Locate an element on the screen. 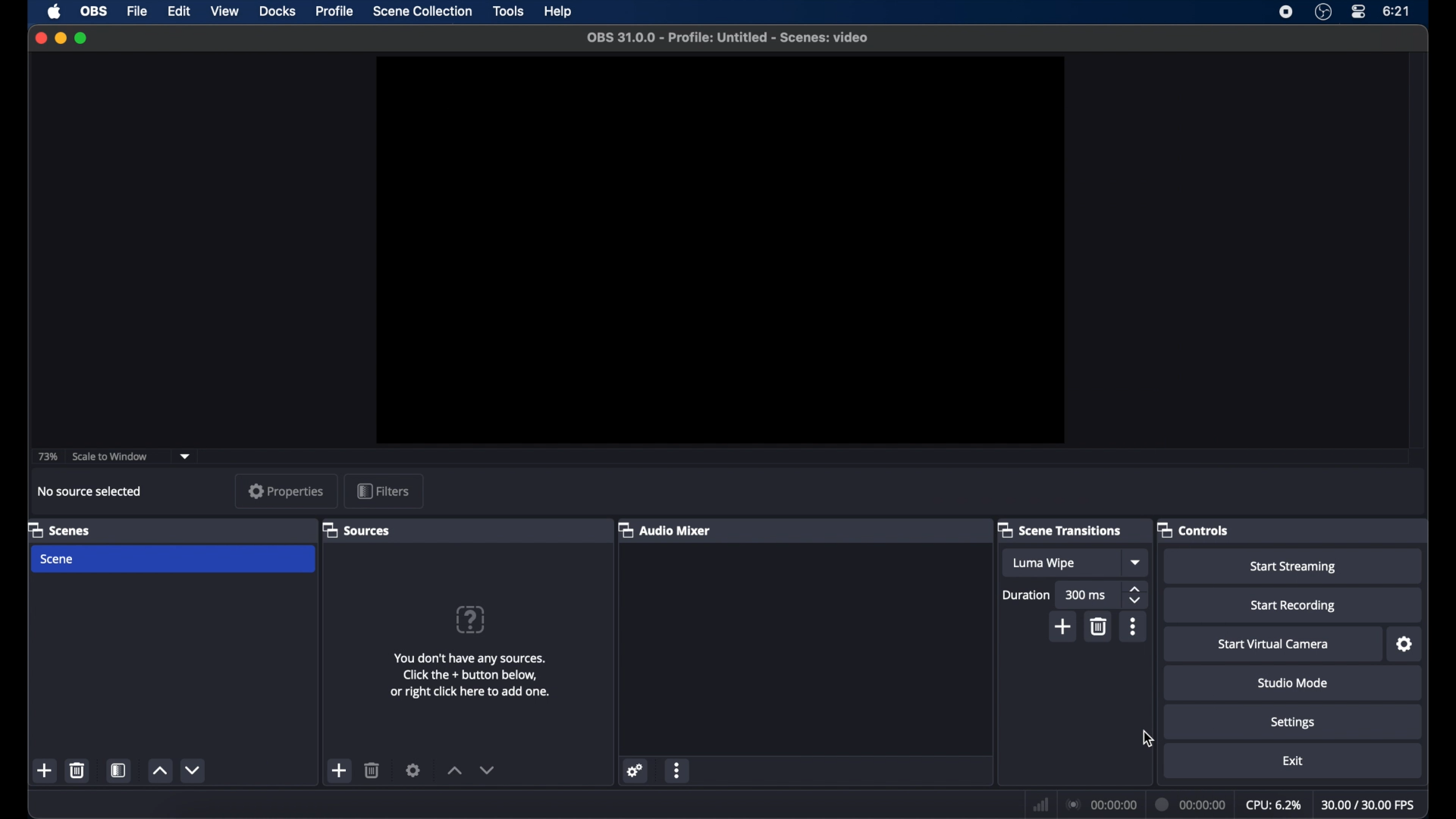  filters is located at coordinates (384, 491).